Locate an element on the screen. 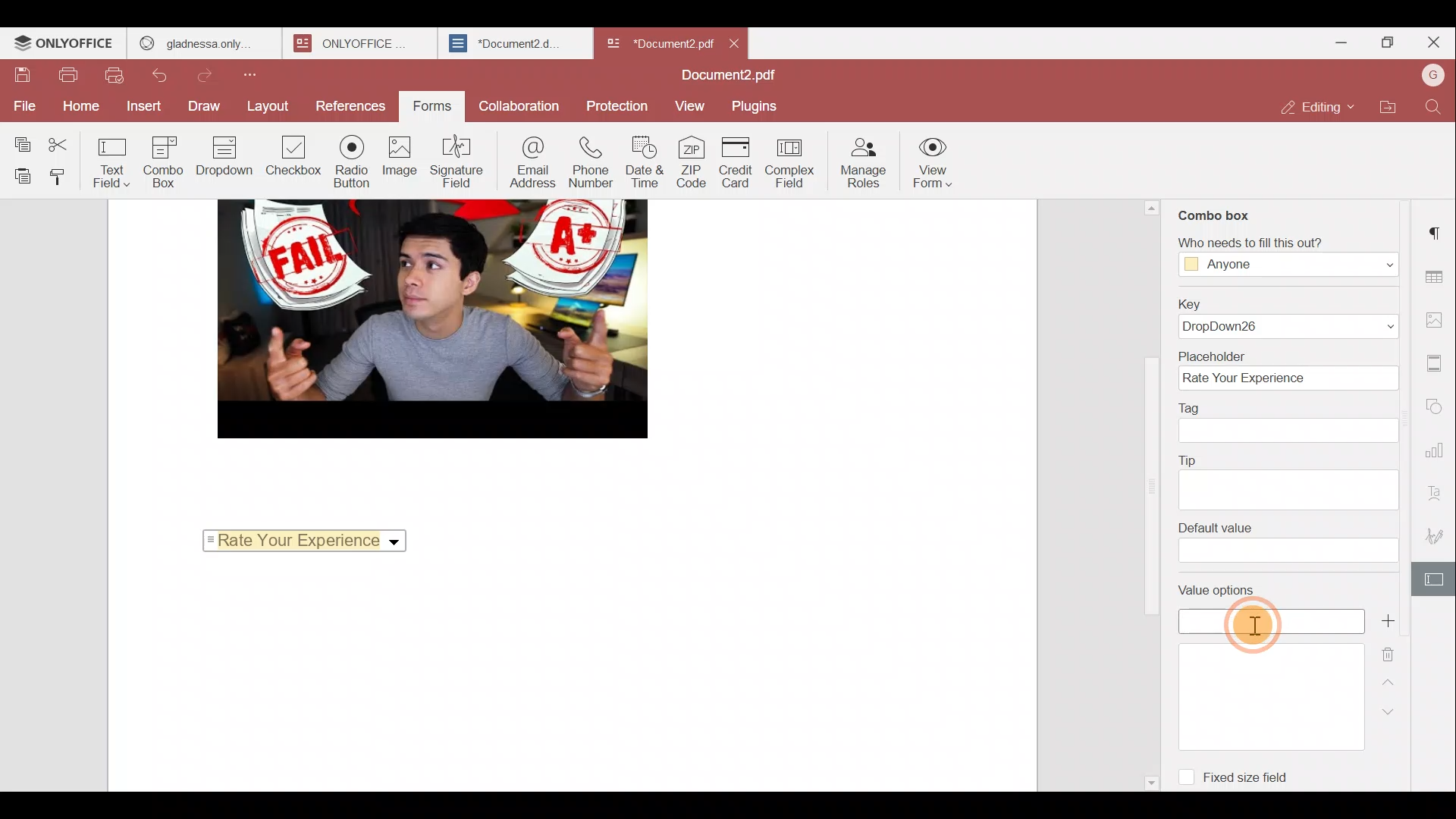 Image resolution: width=1456 pixels, height=819 pixels. Layout is located at coordinates (267, 108).